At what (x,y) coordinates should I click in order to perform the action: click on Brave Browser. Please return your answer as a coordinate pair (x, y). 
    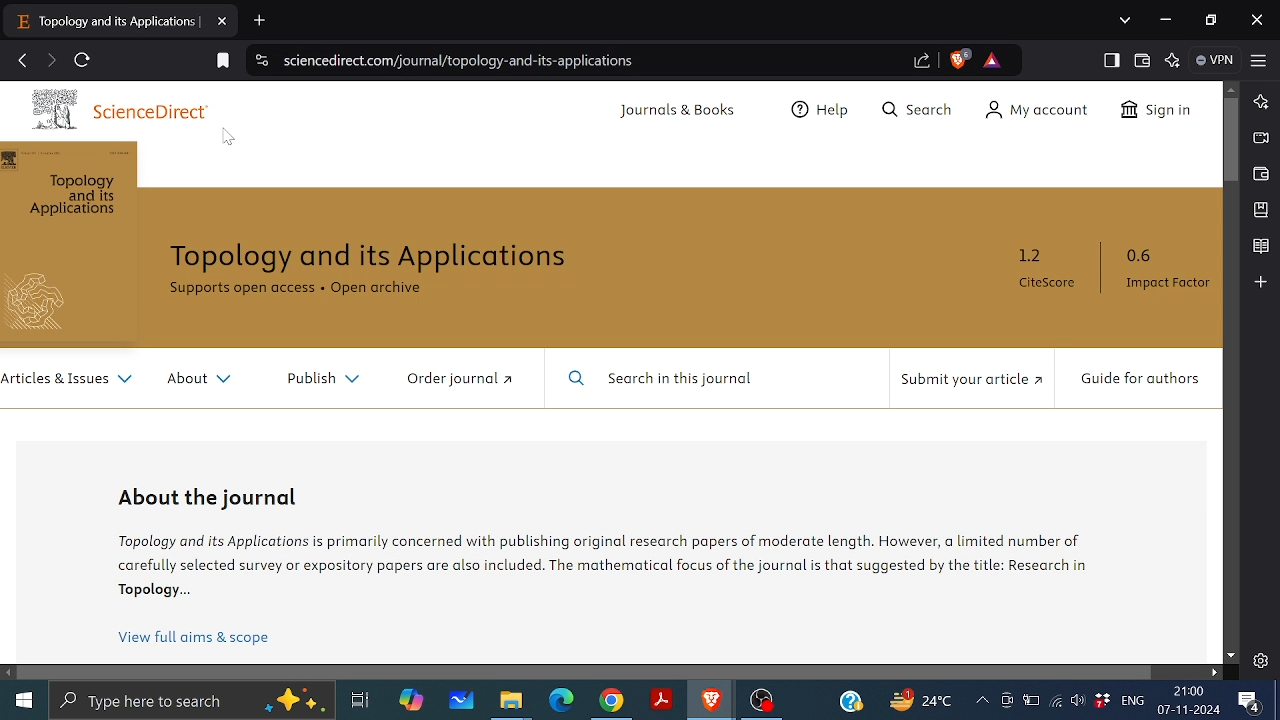
    Looking at the image, I should click on (711, 701).